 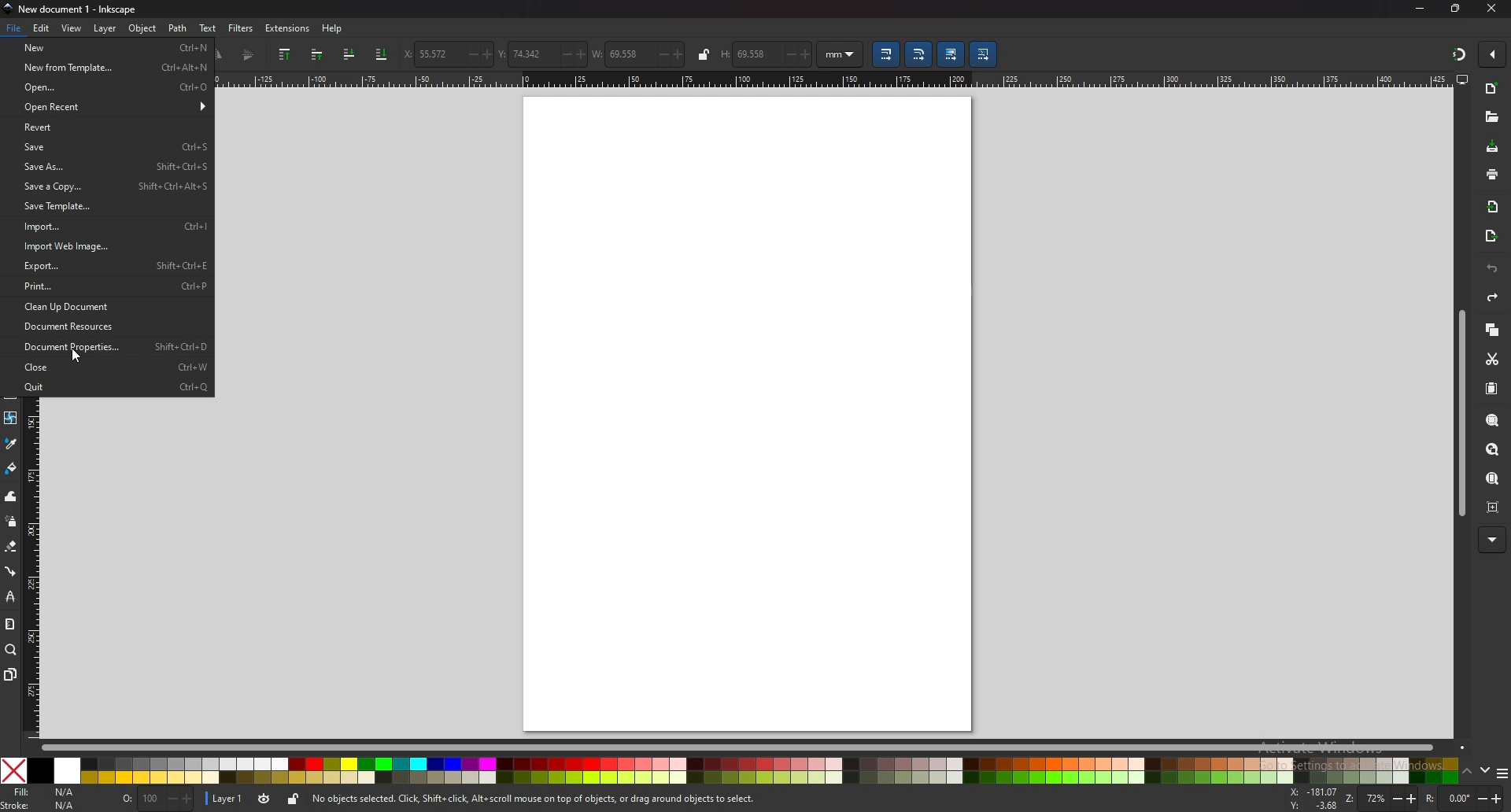 I want to click on export, so click(x=105, y=267).